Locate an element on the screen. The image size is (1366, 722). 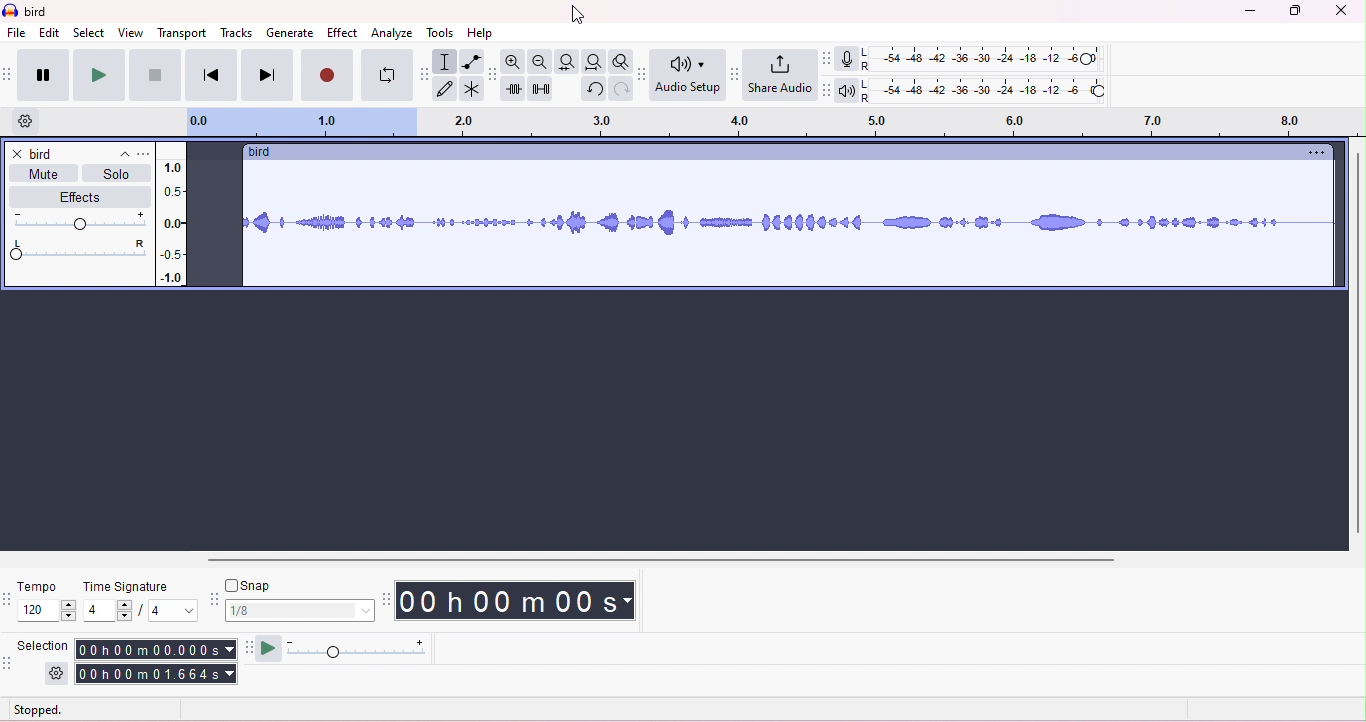
recording level is located at coordinates (983, 59).